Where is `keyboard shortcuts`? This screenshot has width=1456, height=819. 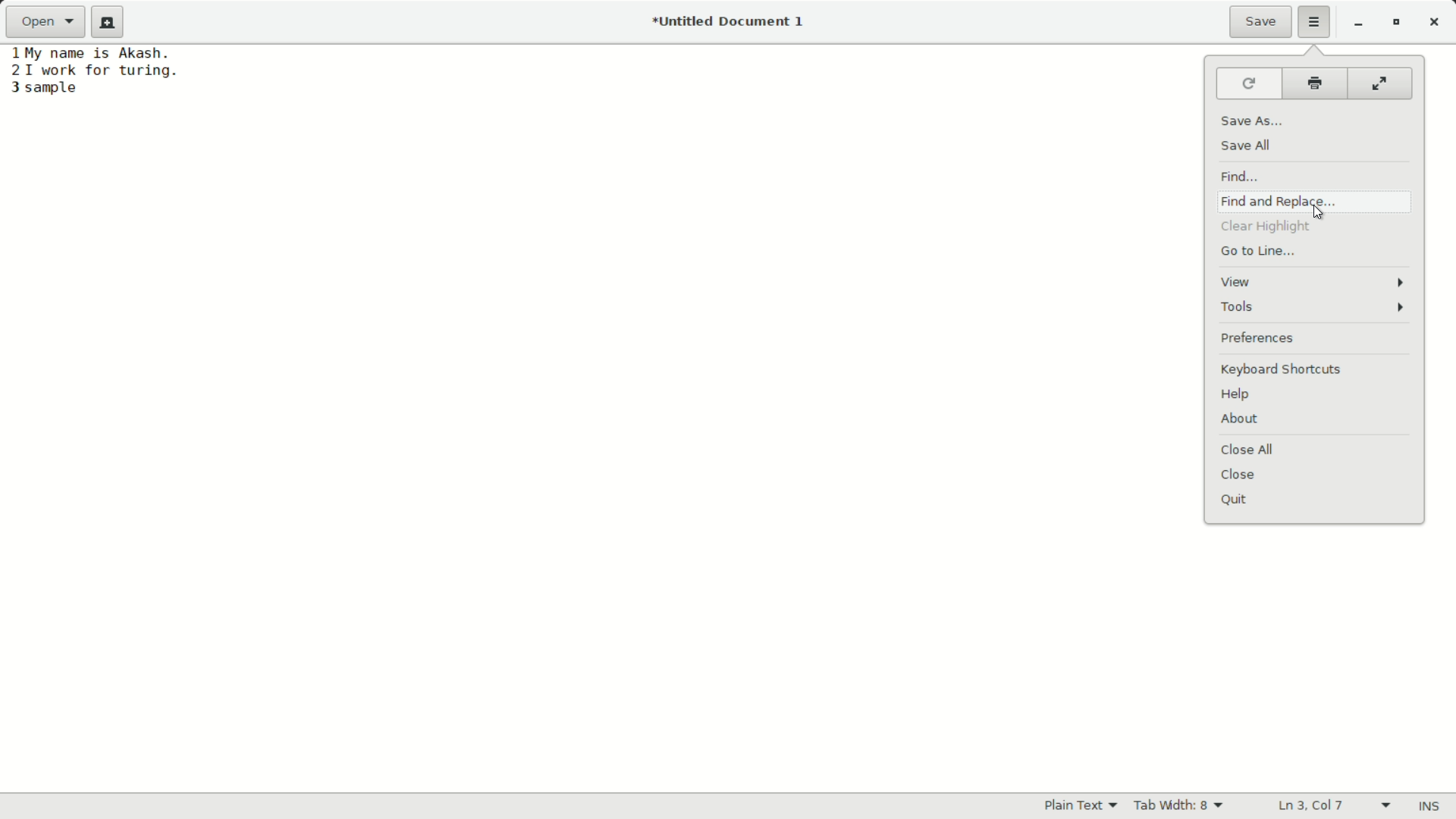 keyboard shortcuts is located at coordinates (1317, 367).